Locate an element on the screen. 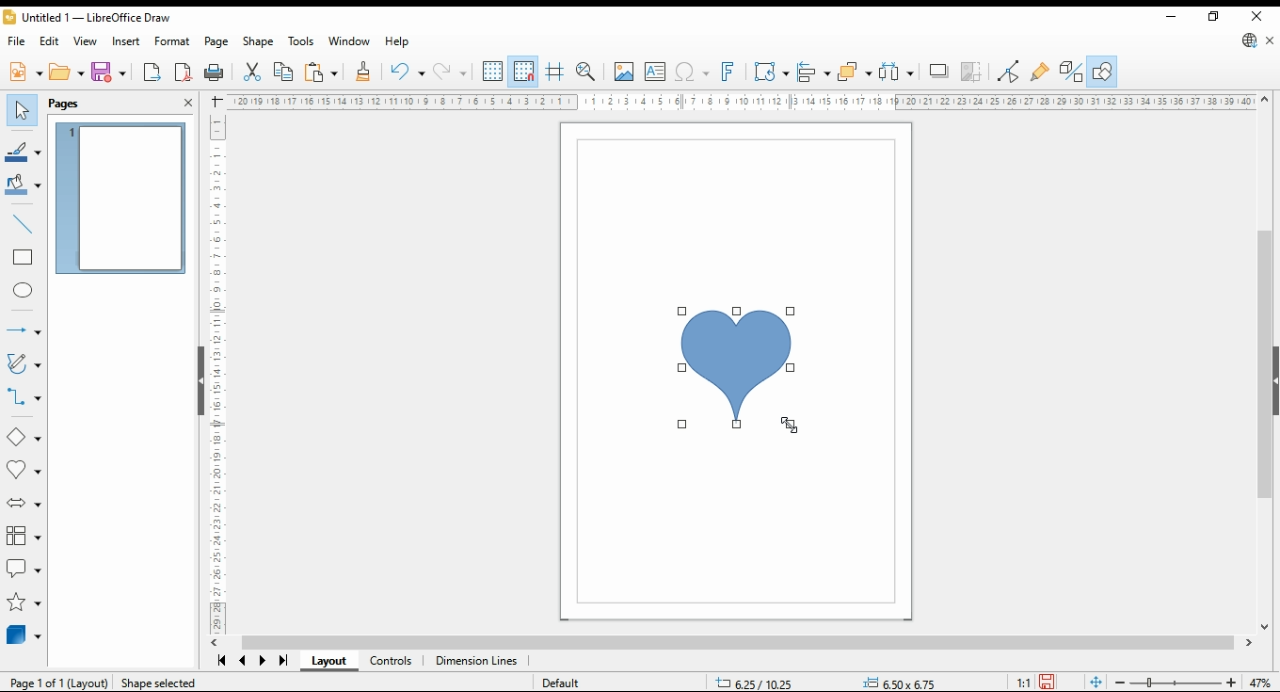 This screenshot has height=692, width=1280. page is located at coordinates (217, 43).